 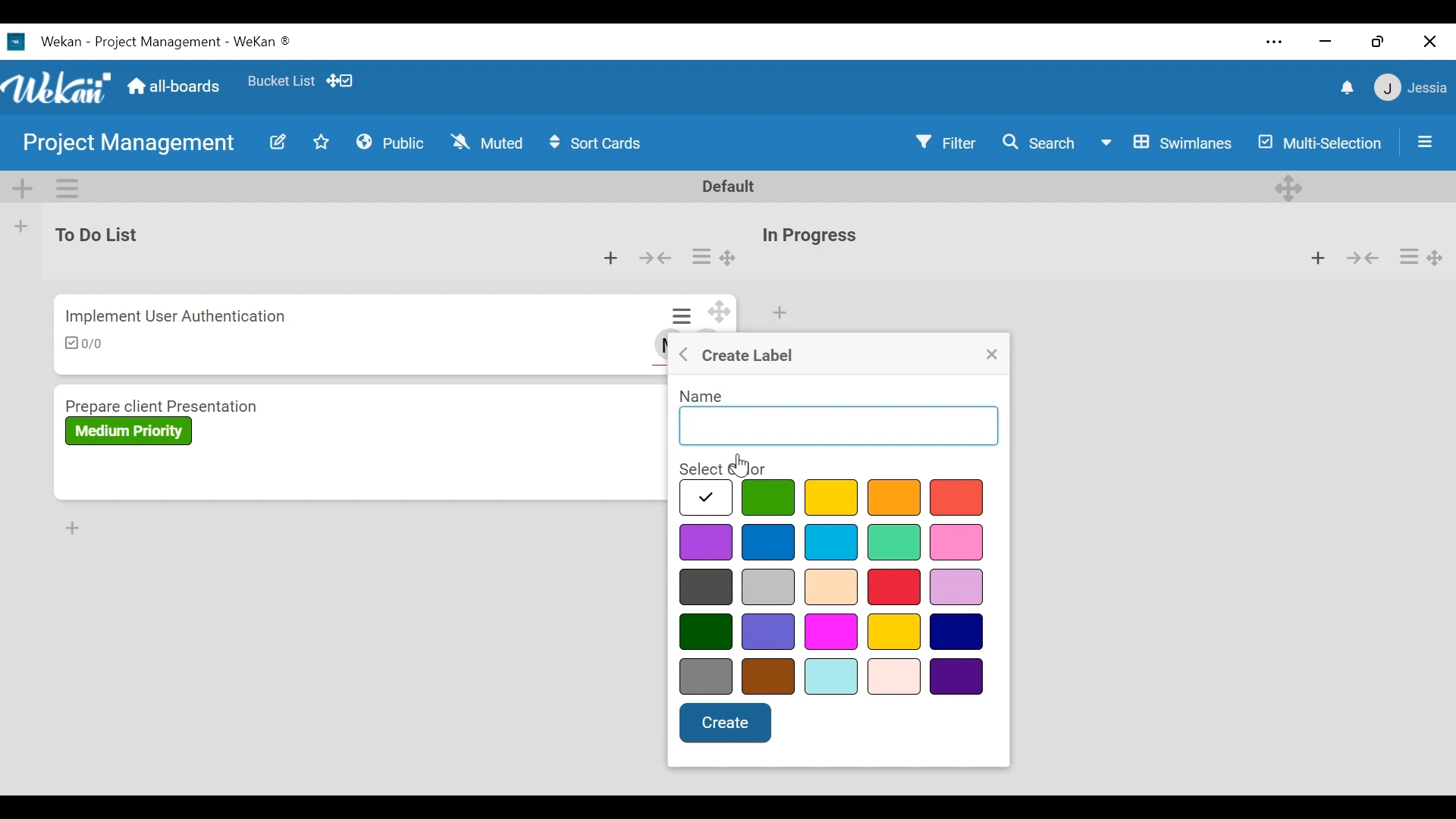 What do you see at coordinates (808, 237) in the screenshot?
I see `List Title` at bounding box center [808, 237].